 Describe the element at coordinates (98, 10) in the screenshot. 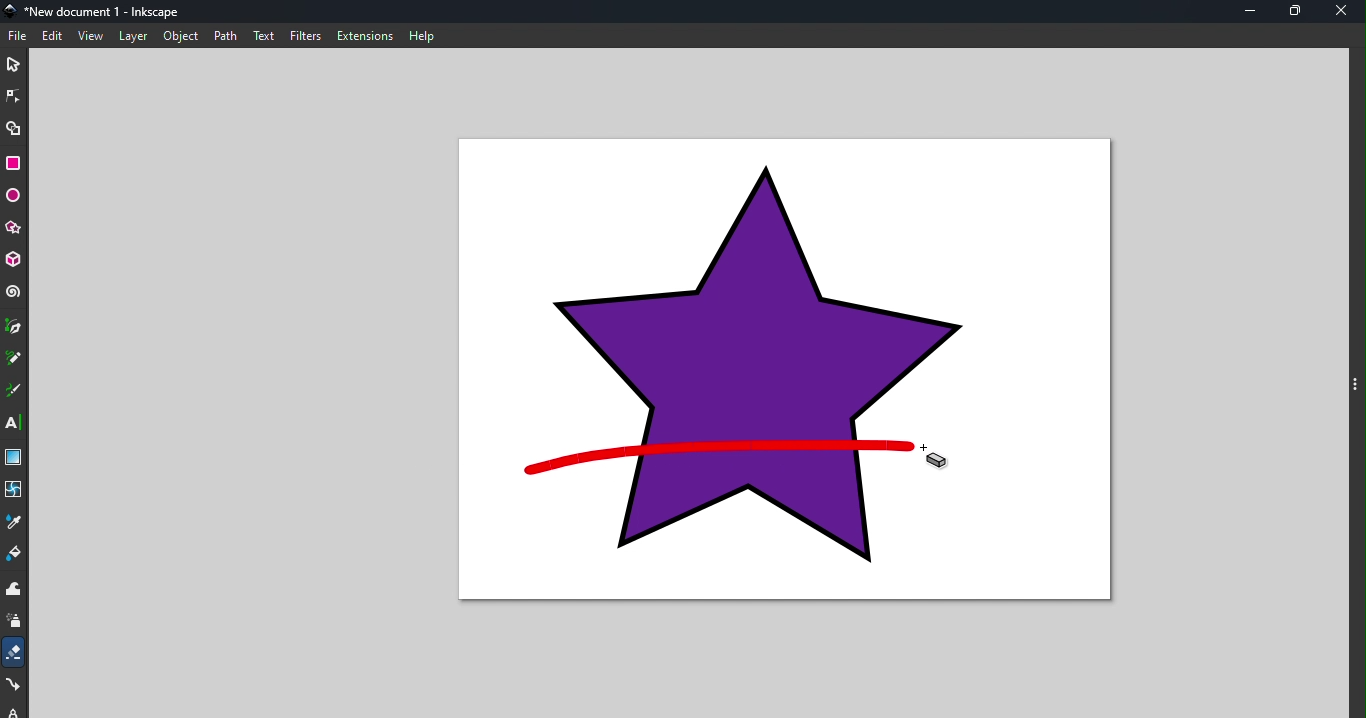

I see `file name` at that location.